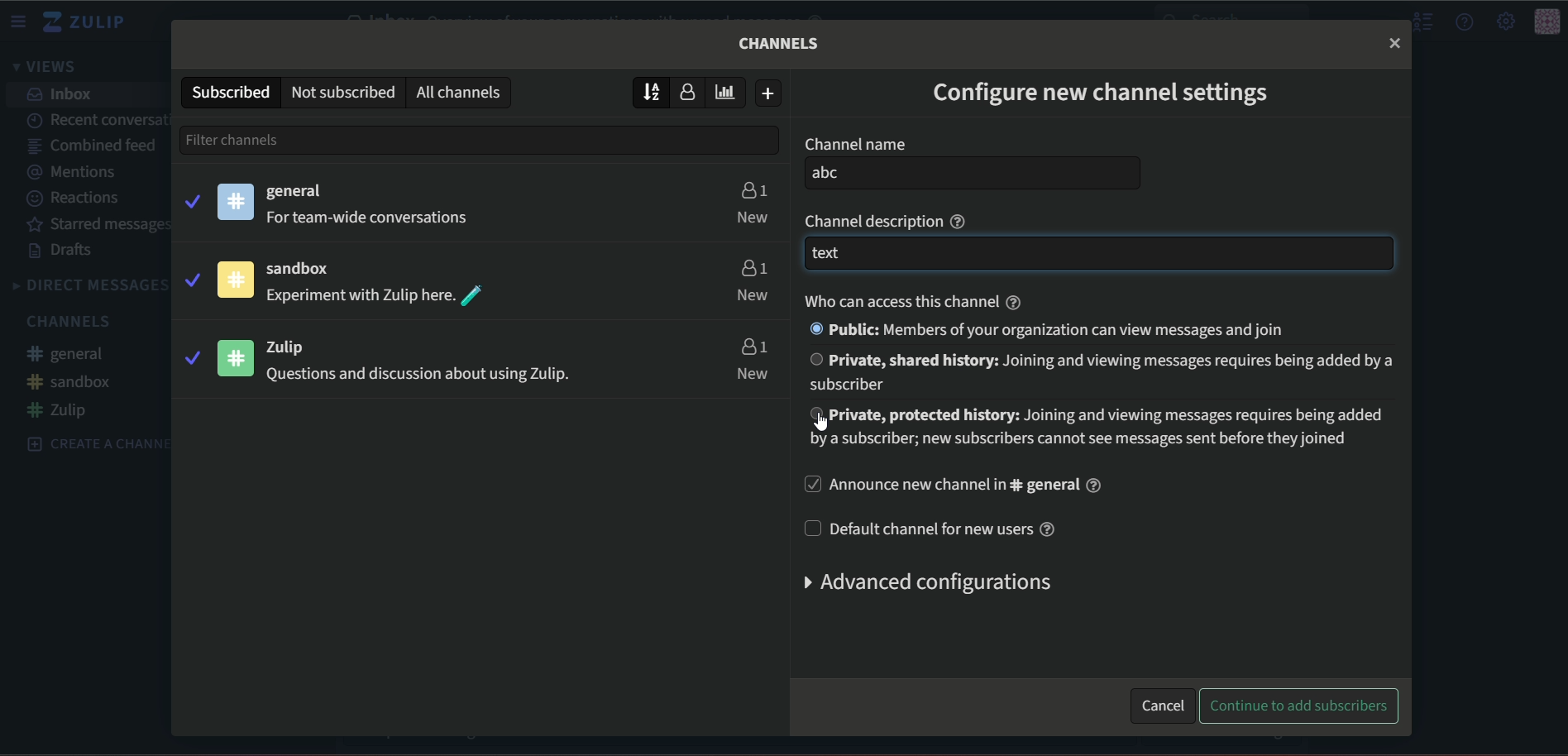 The width and height of the screenshot is (1568, 756). What do you see at coordinates (21, 22) in the screenshot?
I see `menu` at bounding box center [21, 22].